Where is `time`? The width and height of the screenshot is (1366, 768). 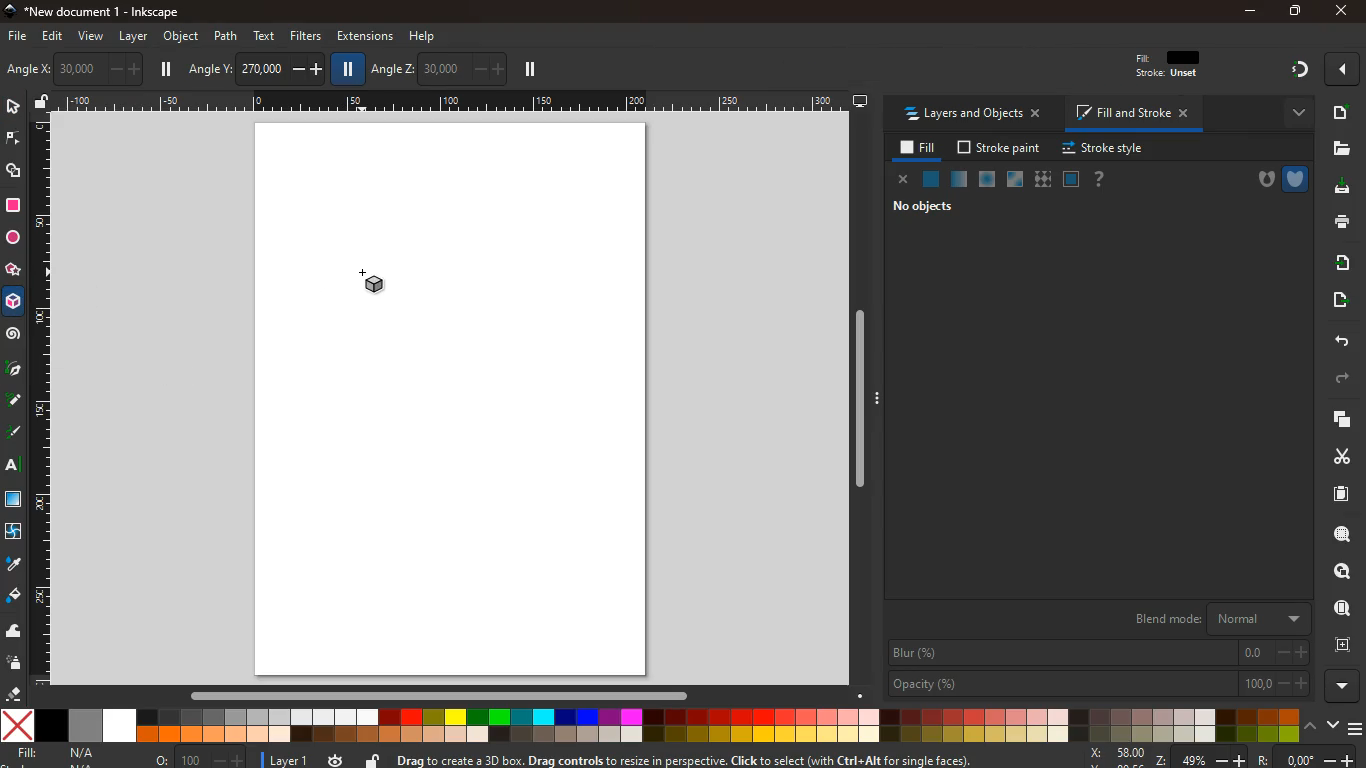
time is located at coordinates (334, 760).